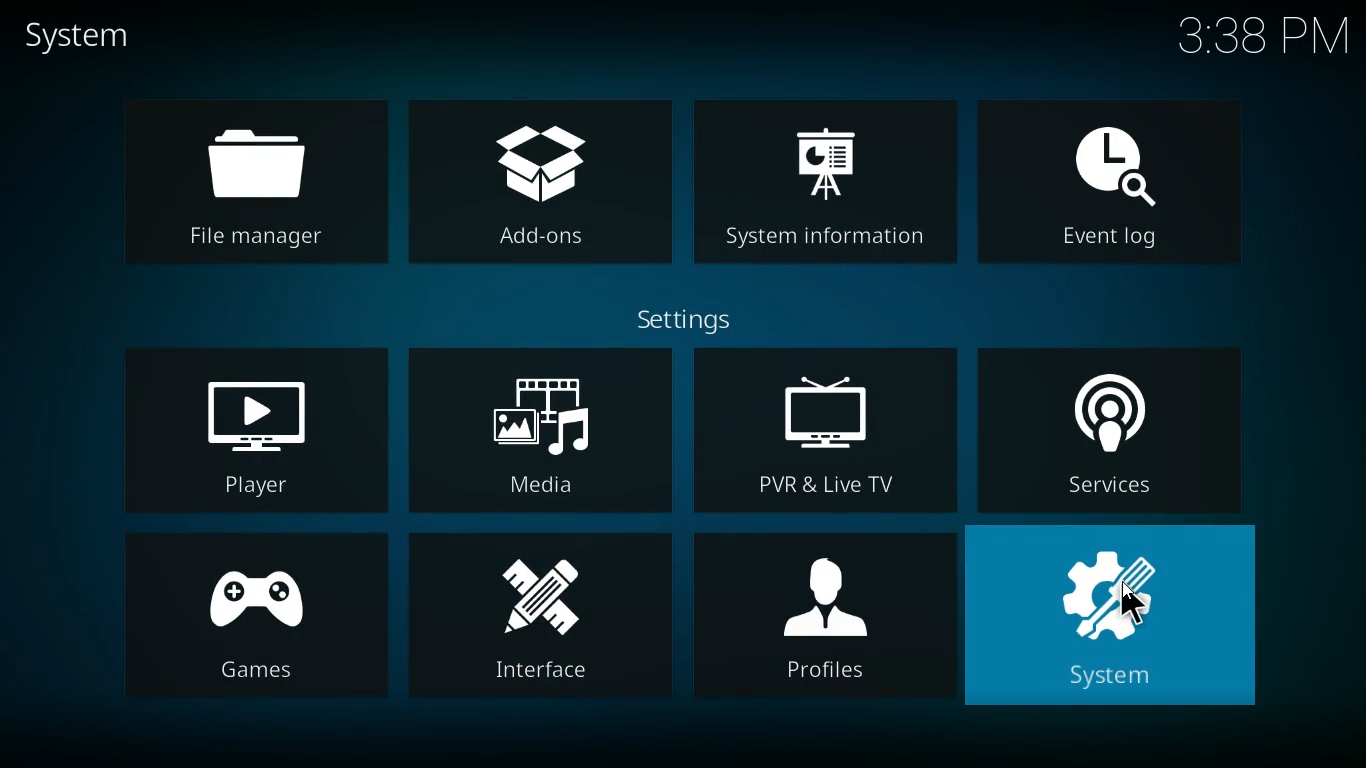 This screenshot has width=1366, height=768. Describe the element at coordinates (248, 623) in the screenshot. I see `games` at that location.